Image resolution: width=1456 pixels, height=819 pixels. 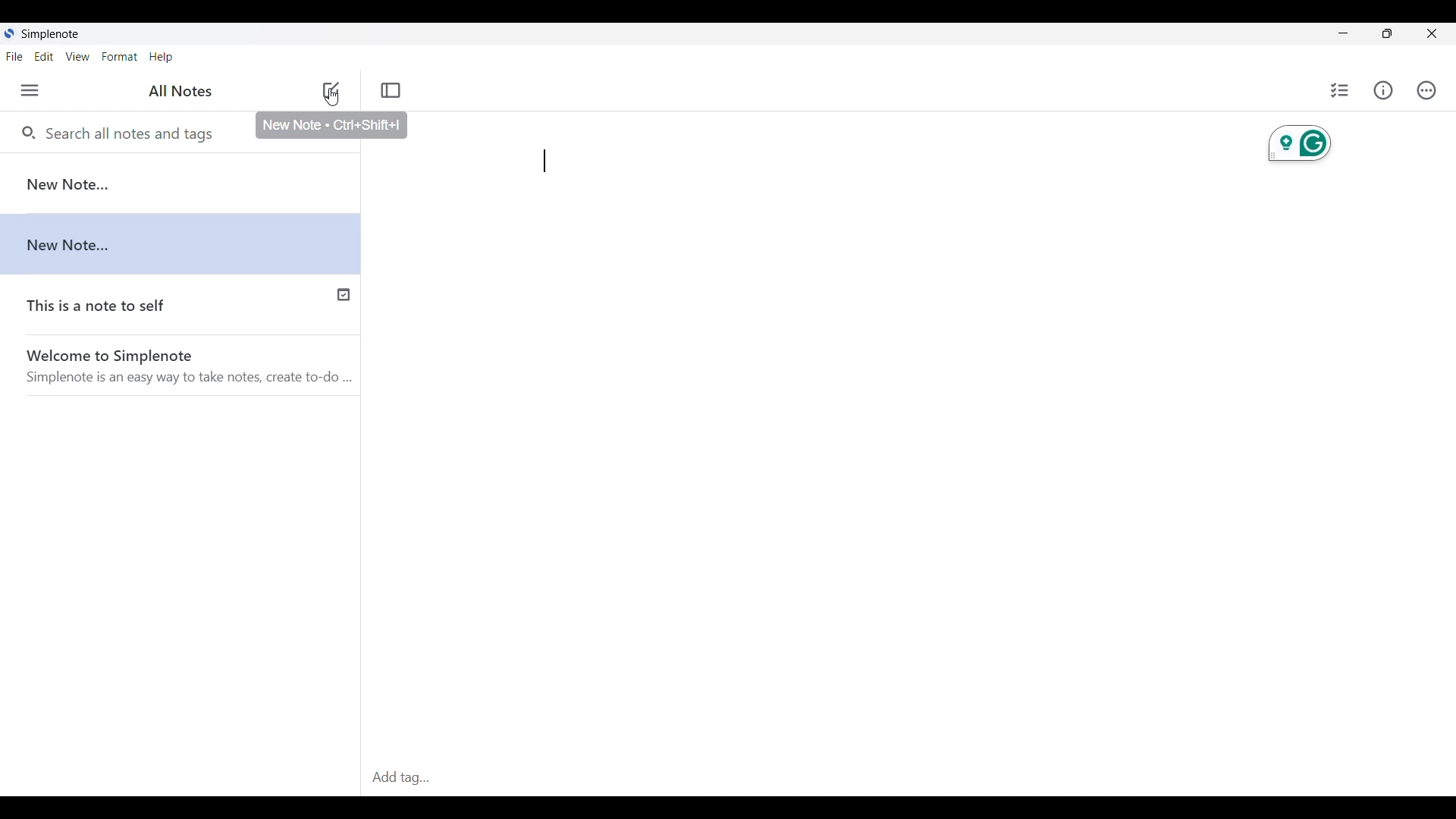 What do you see at coordinates (128, 133) in the screenshot?
I see `Search all notes and tags` at bounding box center [128, 133].